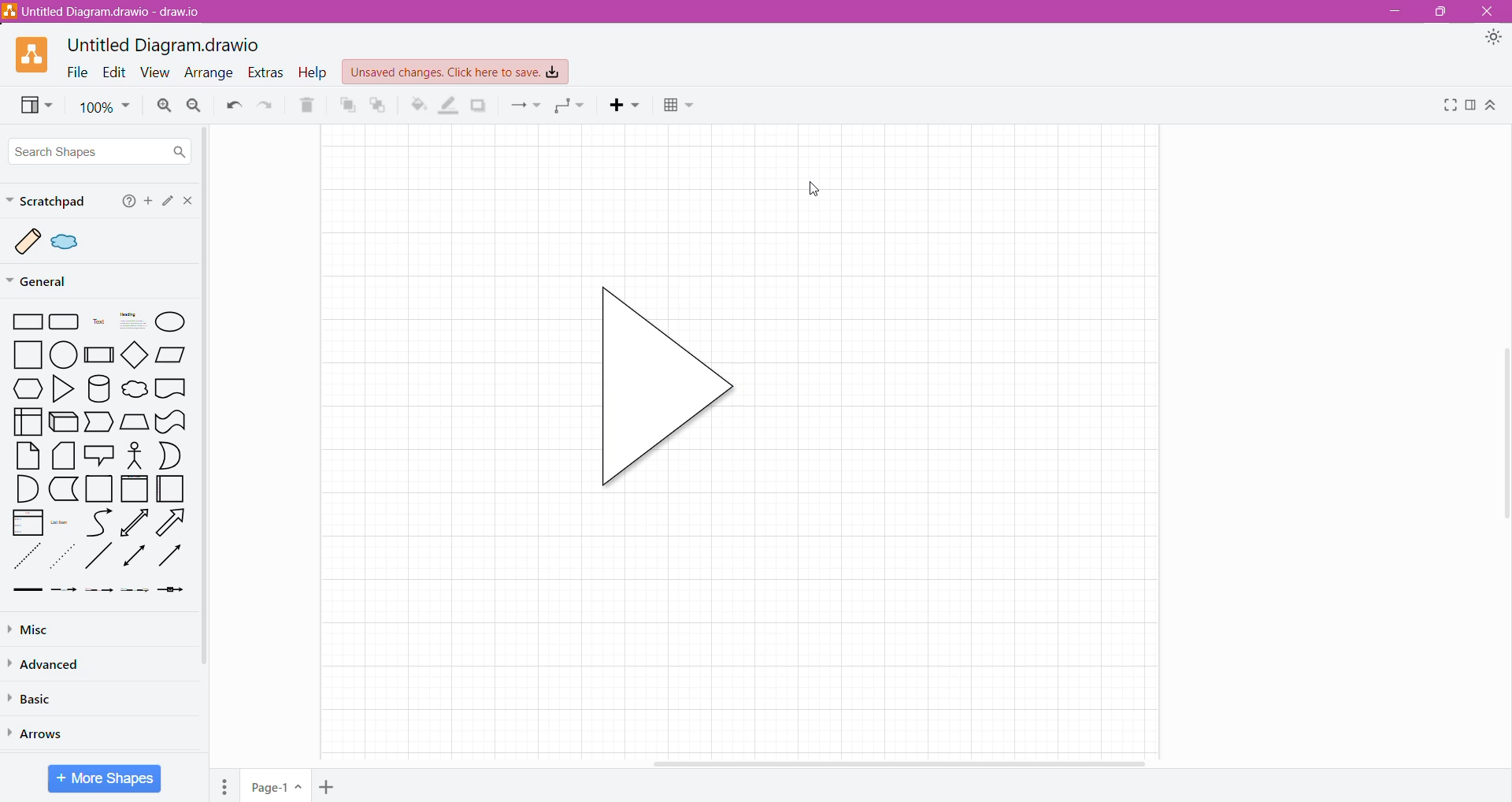 The width and height of the screenshot is (1512, 802). What do you see at coordinates (904, 761) in the screenshot?
I see `Horizontal Scroll Bar` at bounding box center [904, 761].